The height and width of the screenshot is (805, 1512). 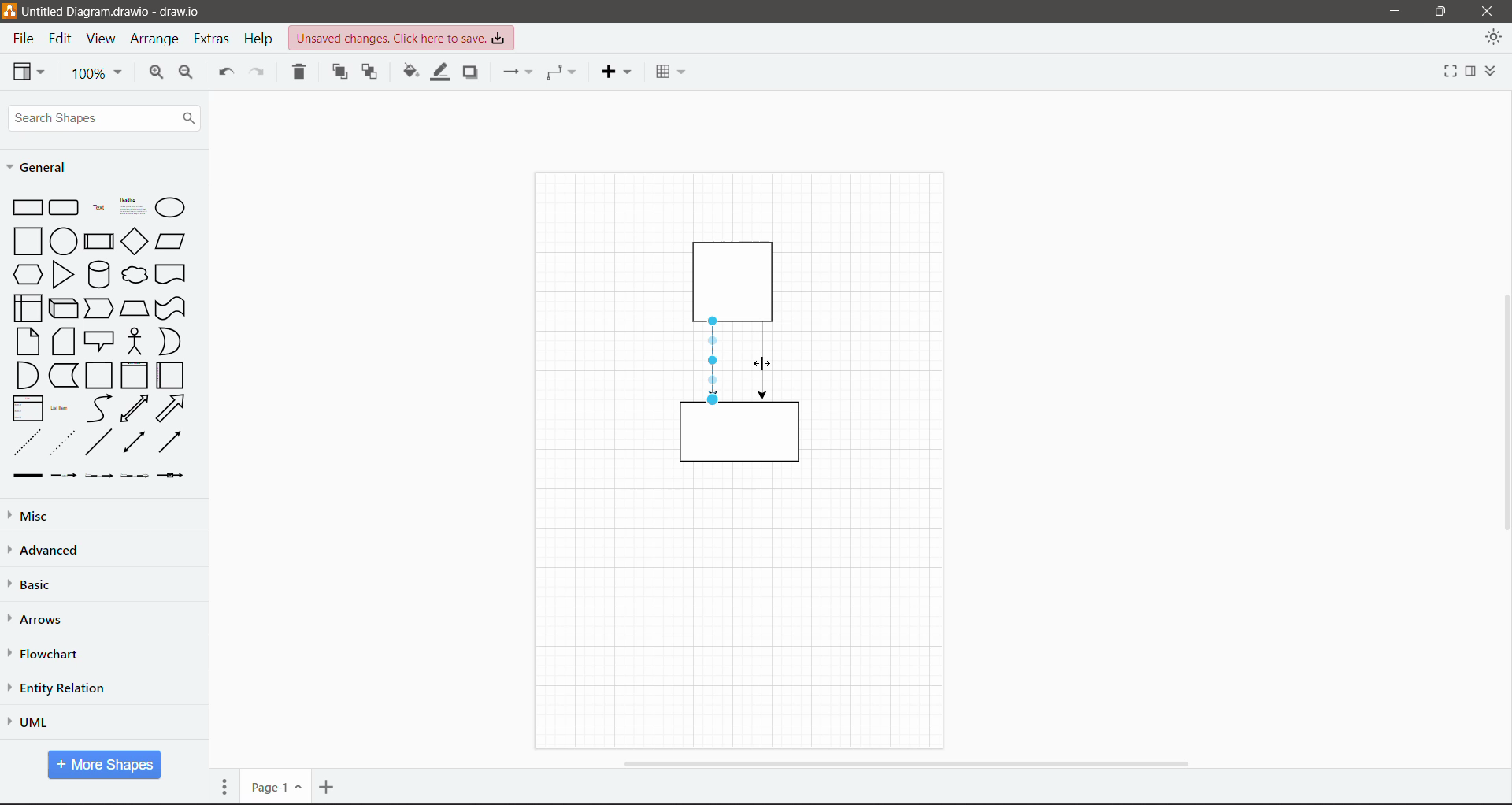 I want to click on And, so click(x=26, y=375).